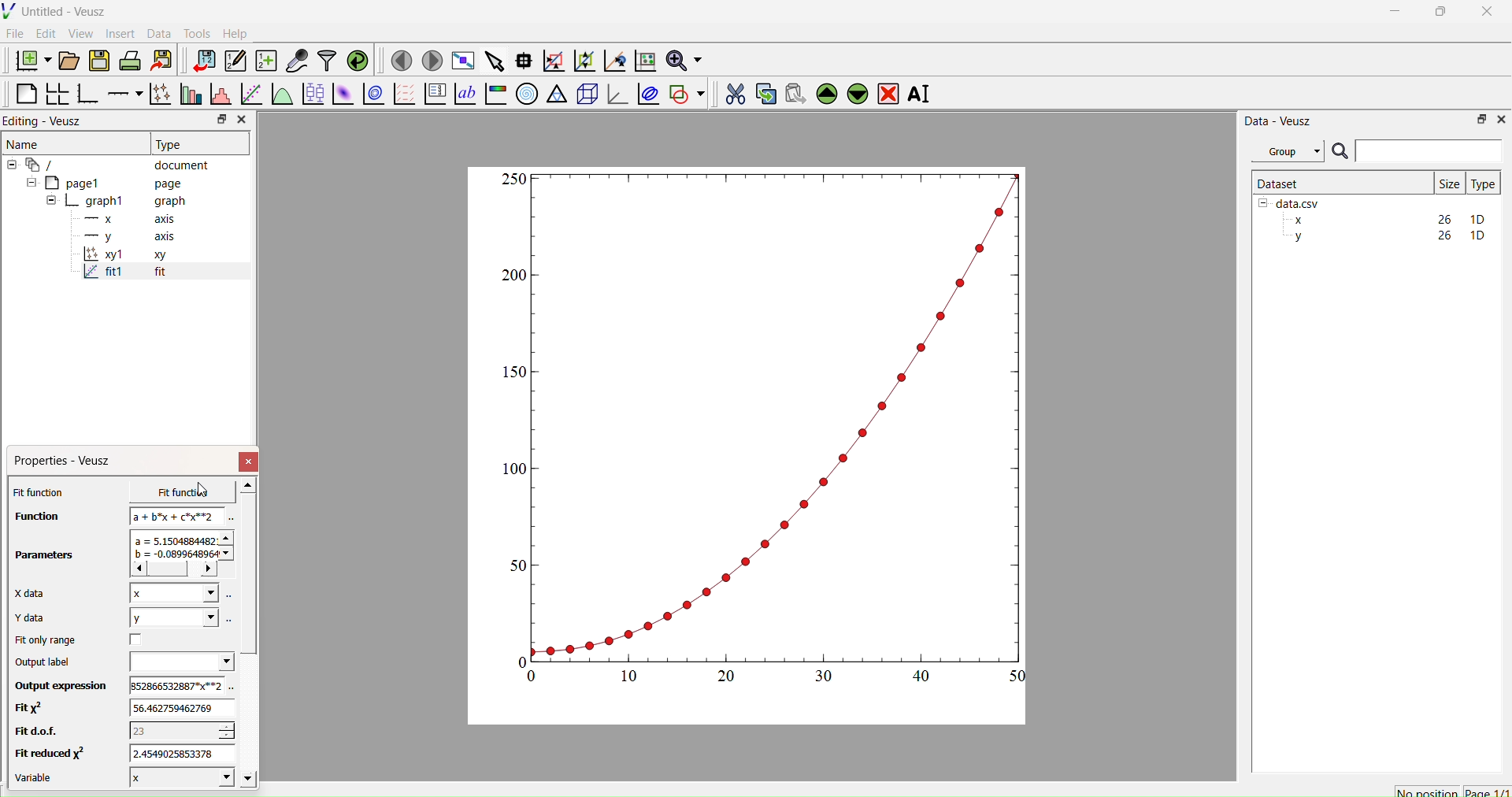 The height and width of the screenshot is (797, 1512). What do you see at coordinates (173, 554) in the screenshot?
I see `a= 0 b=1 c = 0.5` at bounding box center [173, 554].